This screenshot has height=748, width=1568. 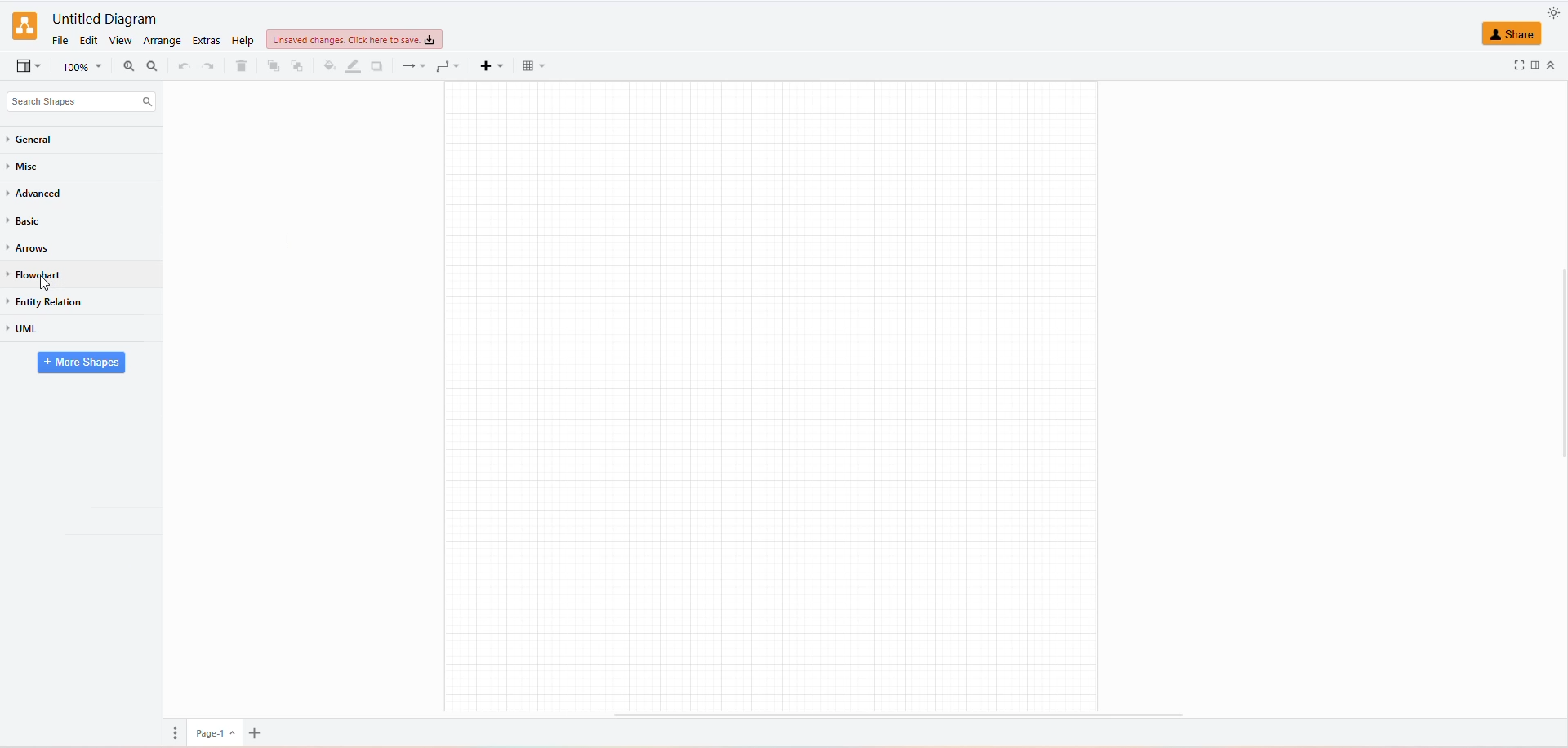 What do you see at coordinates (91, 39) in the screenshot?
I see `EDIT` at bounding box center [91, 39].